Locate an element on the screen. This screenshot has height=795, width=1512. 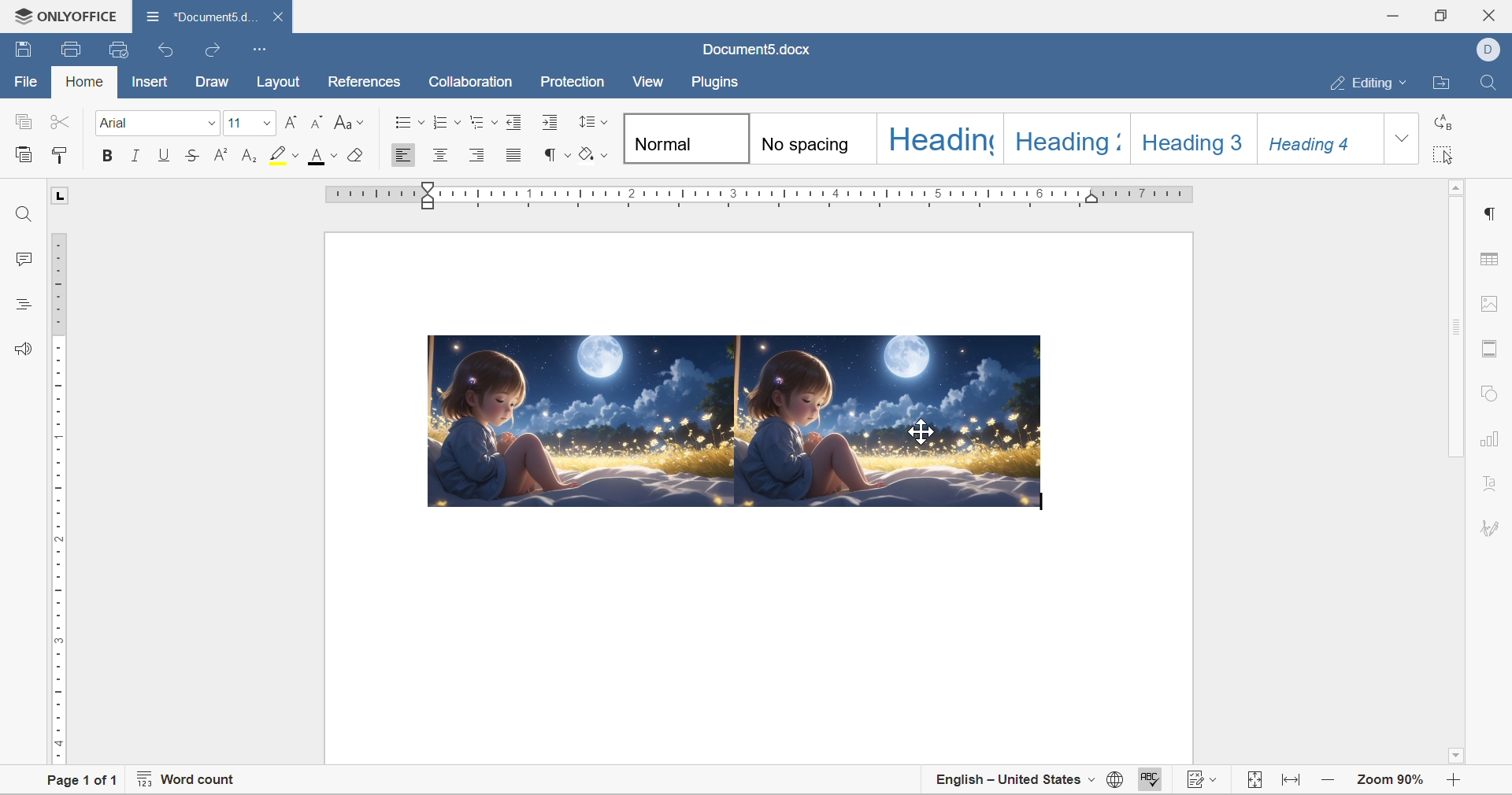
set document language is located at coordinates (1115, 779).